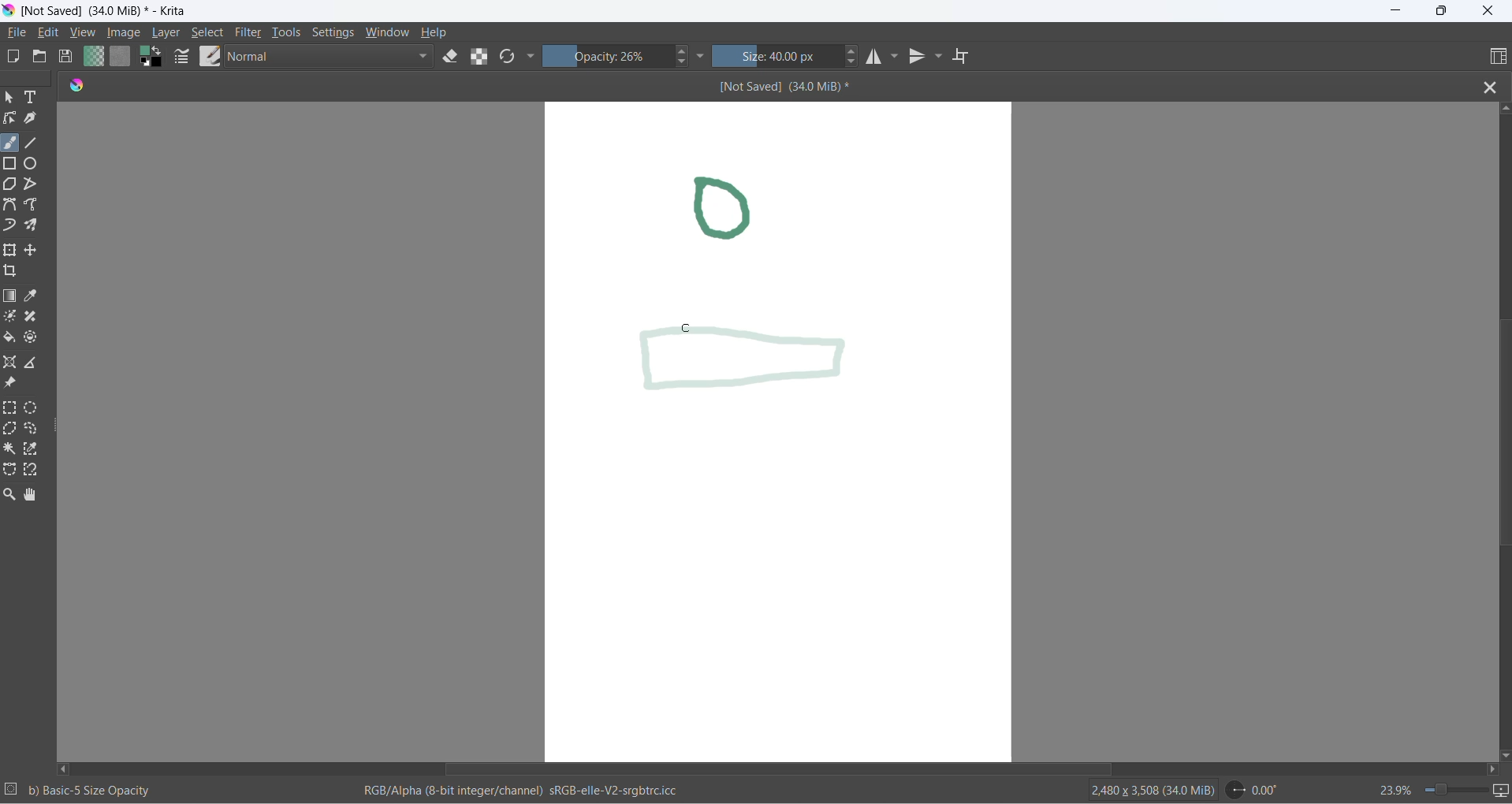  What do you see at coordinates (34, 471) in the screenshot?
I see `magnetic curve selection tool` at bounding box center [34, 471].